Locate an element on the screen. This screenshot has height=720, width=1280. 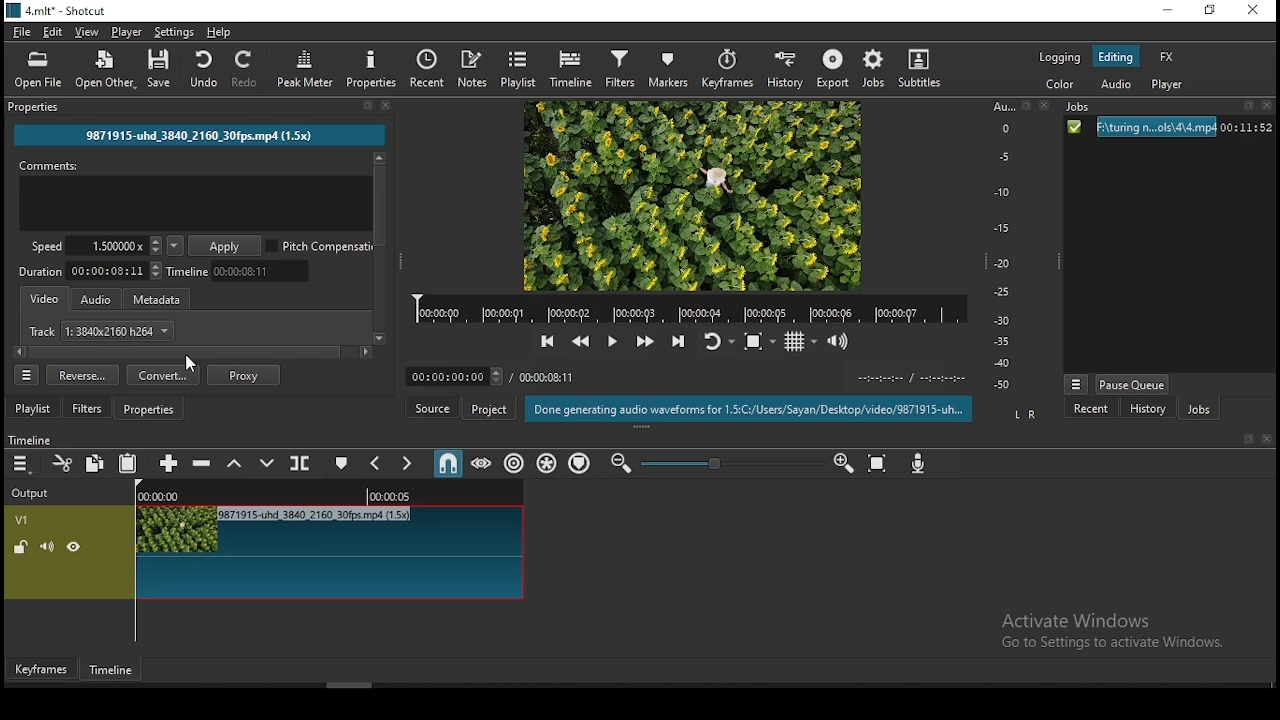
file is located at coordinates (23, 33).